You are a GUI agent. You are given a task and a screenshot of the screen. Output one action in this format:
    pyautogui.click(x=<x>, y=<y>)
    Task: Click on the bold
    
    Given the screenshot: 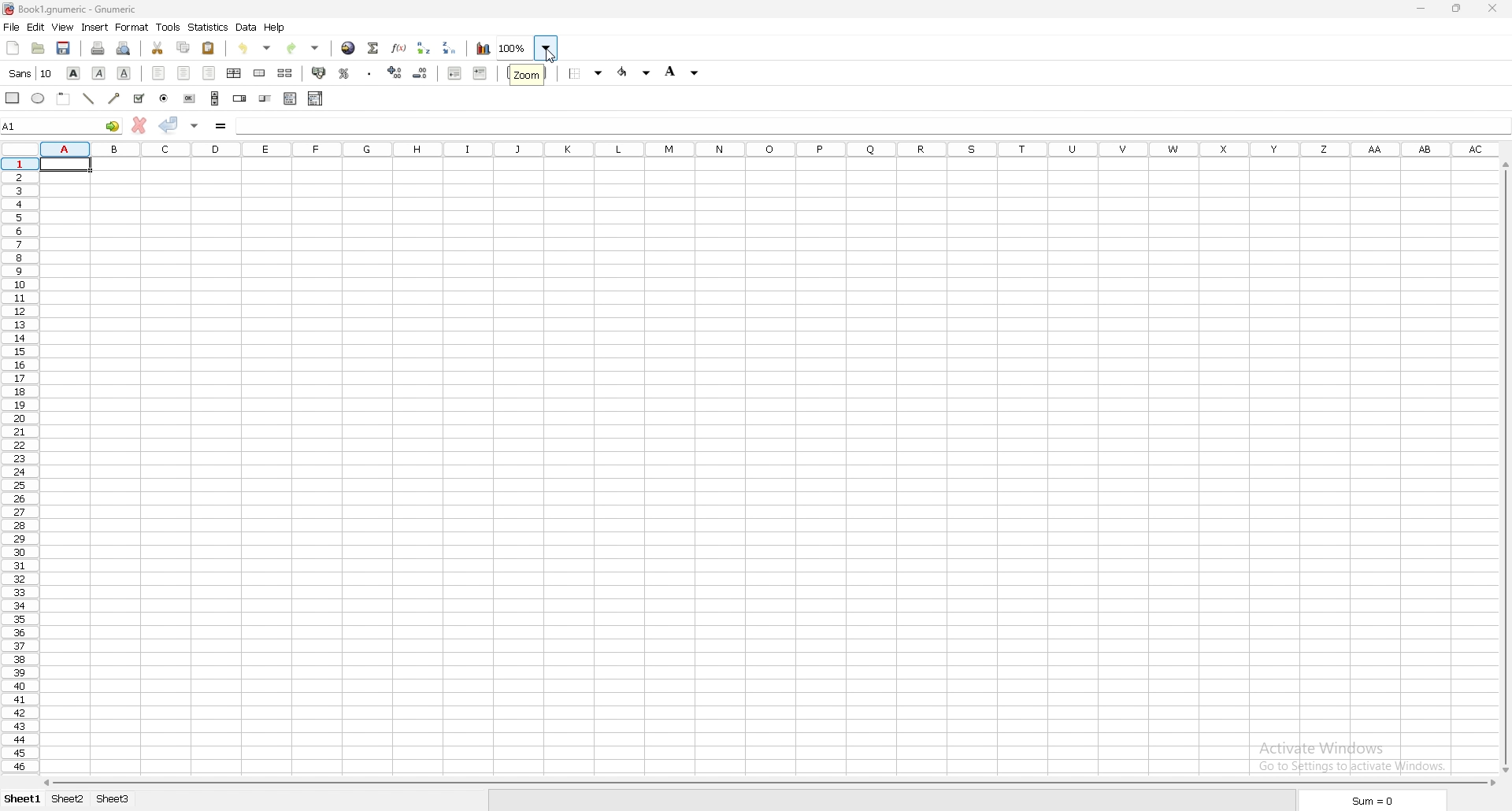 What is the action you would take?
    pyautogui.click(x=74, y=73)
    